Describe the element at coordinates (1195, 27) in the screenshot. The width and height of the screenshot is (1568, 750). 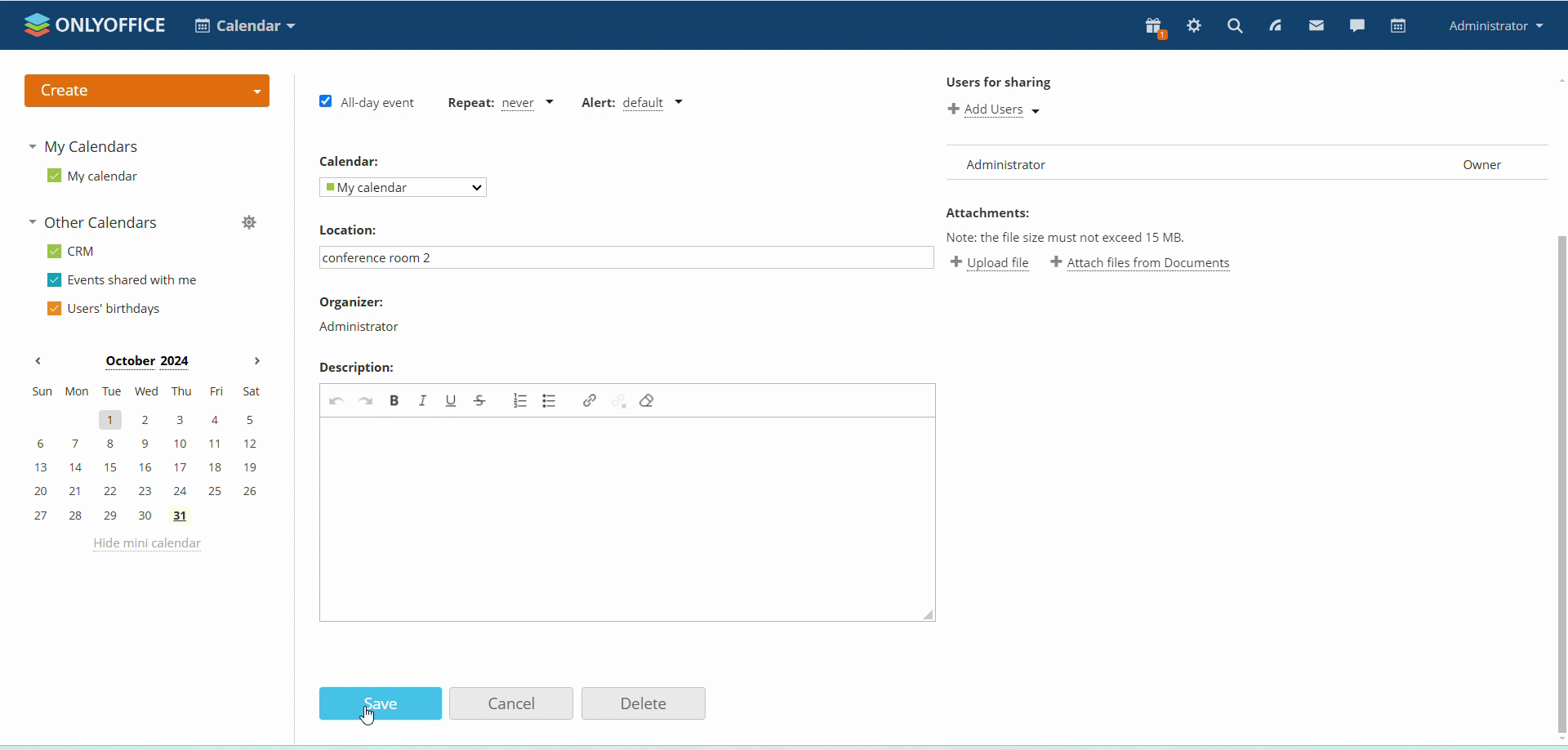
I see `settings` at that location.